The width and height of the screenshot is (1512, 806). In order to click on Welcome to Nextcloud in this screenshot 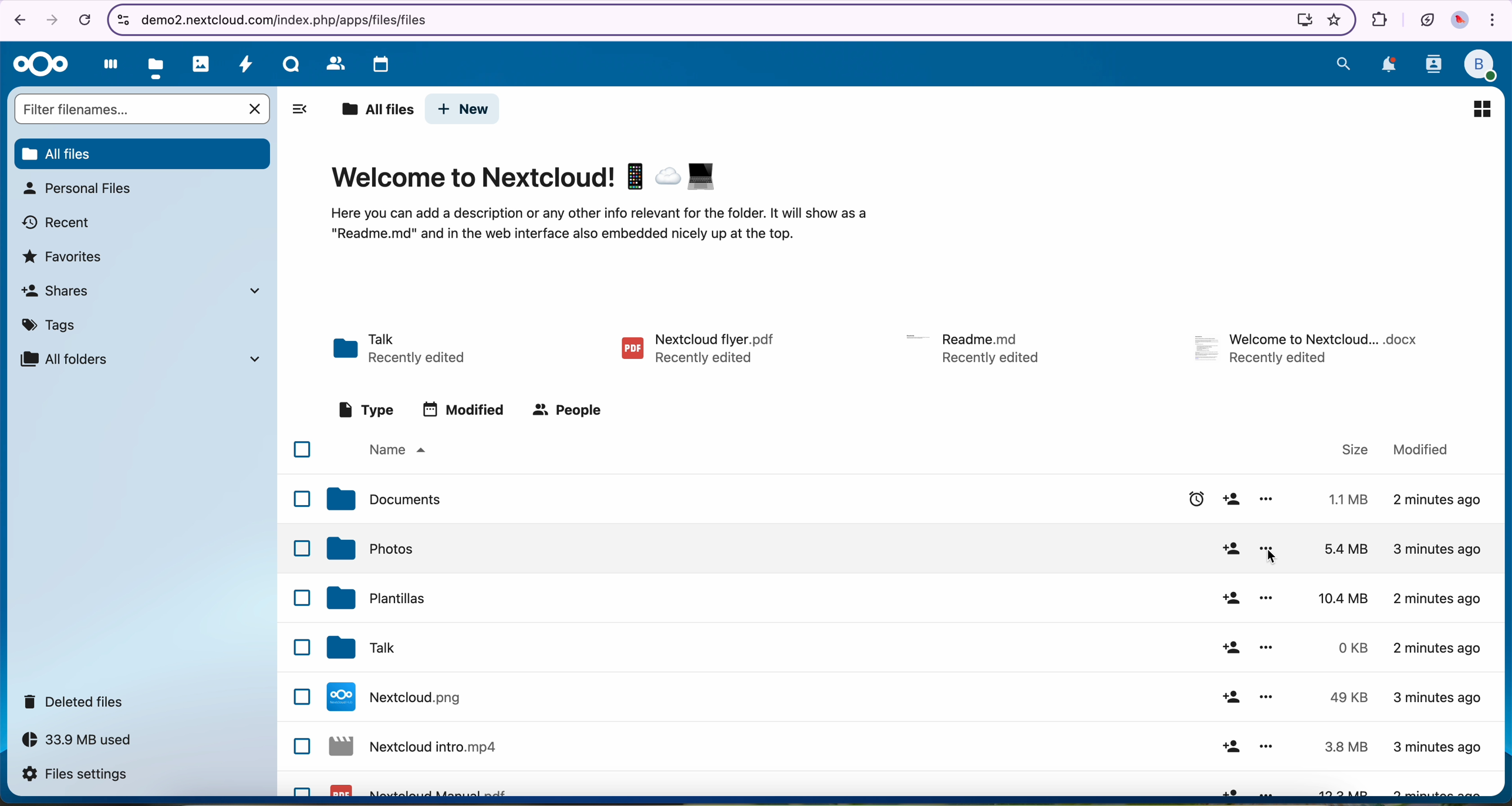, I will do `click(526, 177)`.